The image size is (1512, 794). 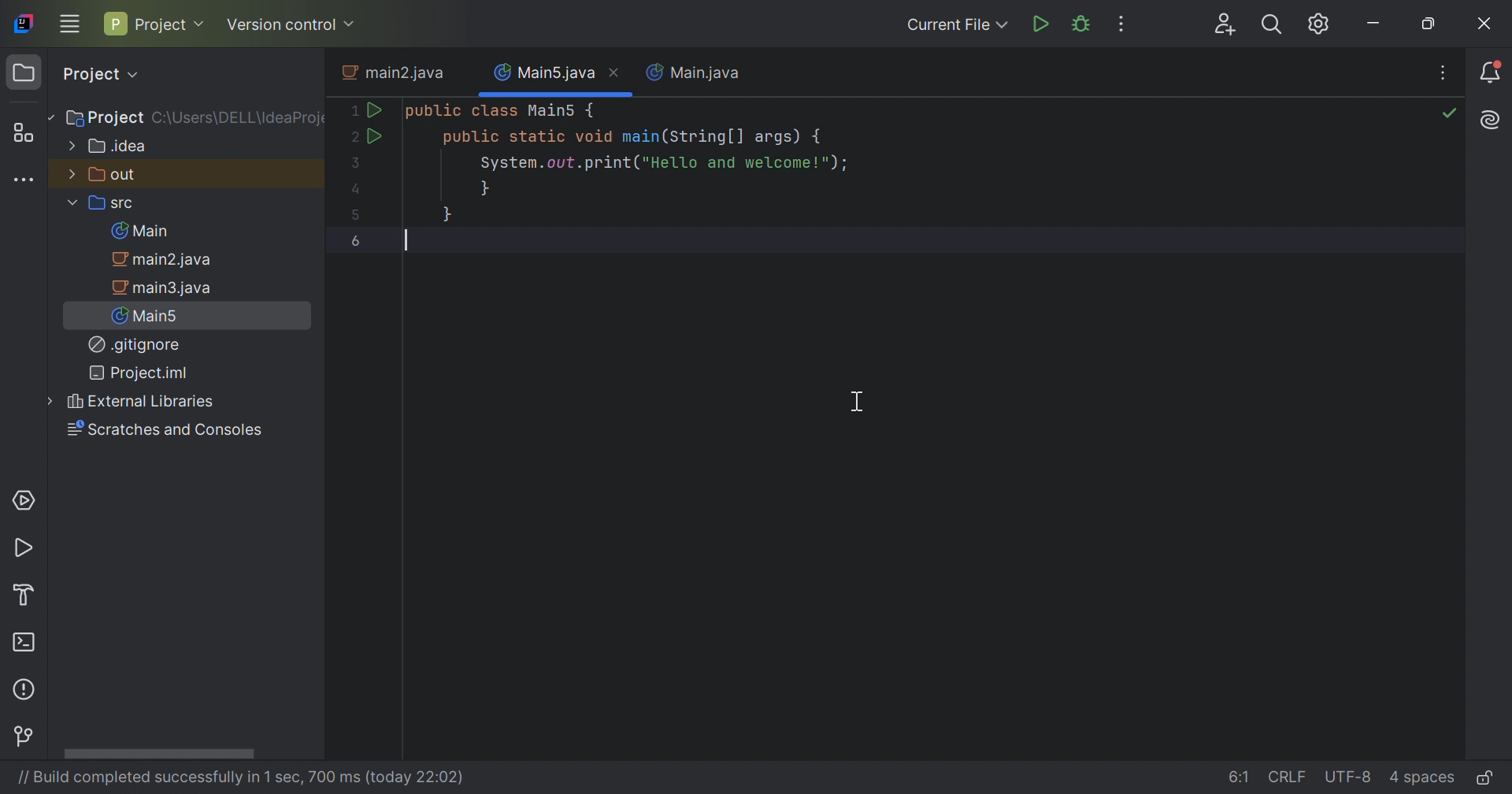 I want to click on IntelliJ IDEA icon, so click(x=24, y=21).